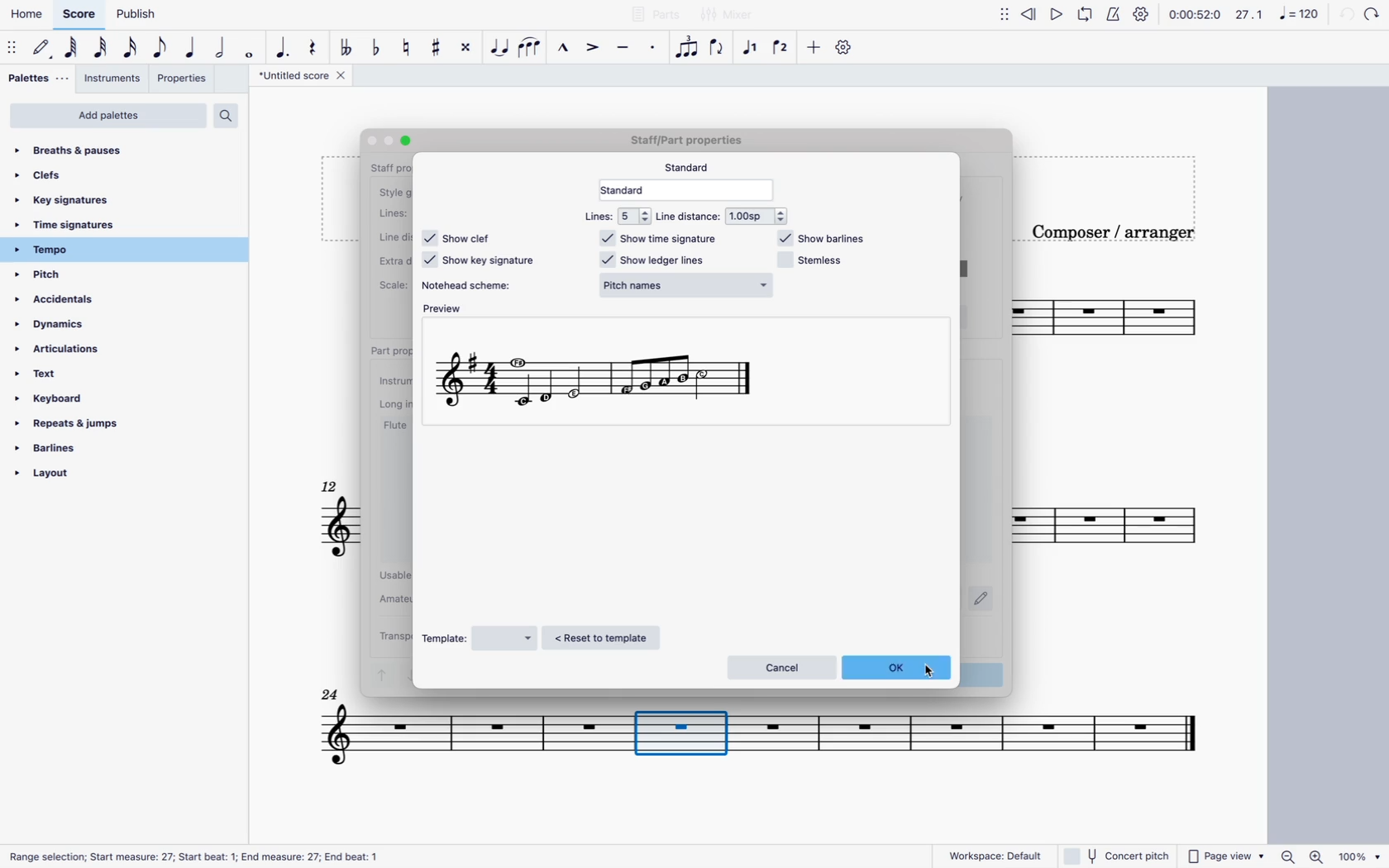 The width and height of the screenshot is (1389, 868). What do you see at coordinates (94, 423) in the screenshot?
I see `repeats & jumps` at bounding box center [94, 423].